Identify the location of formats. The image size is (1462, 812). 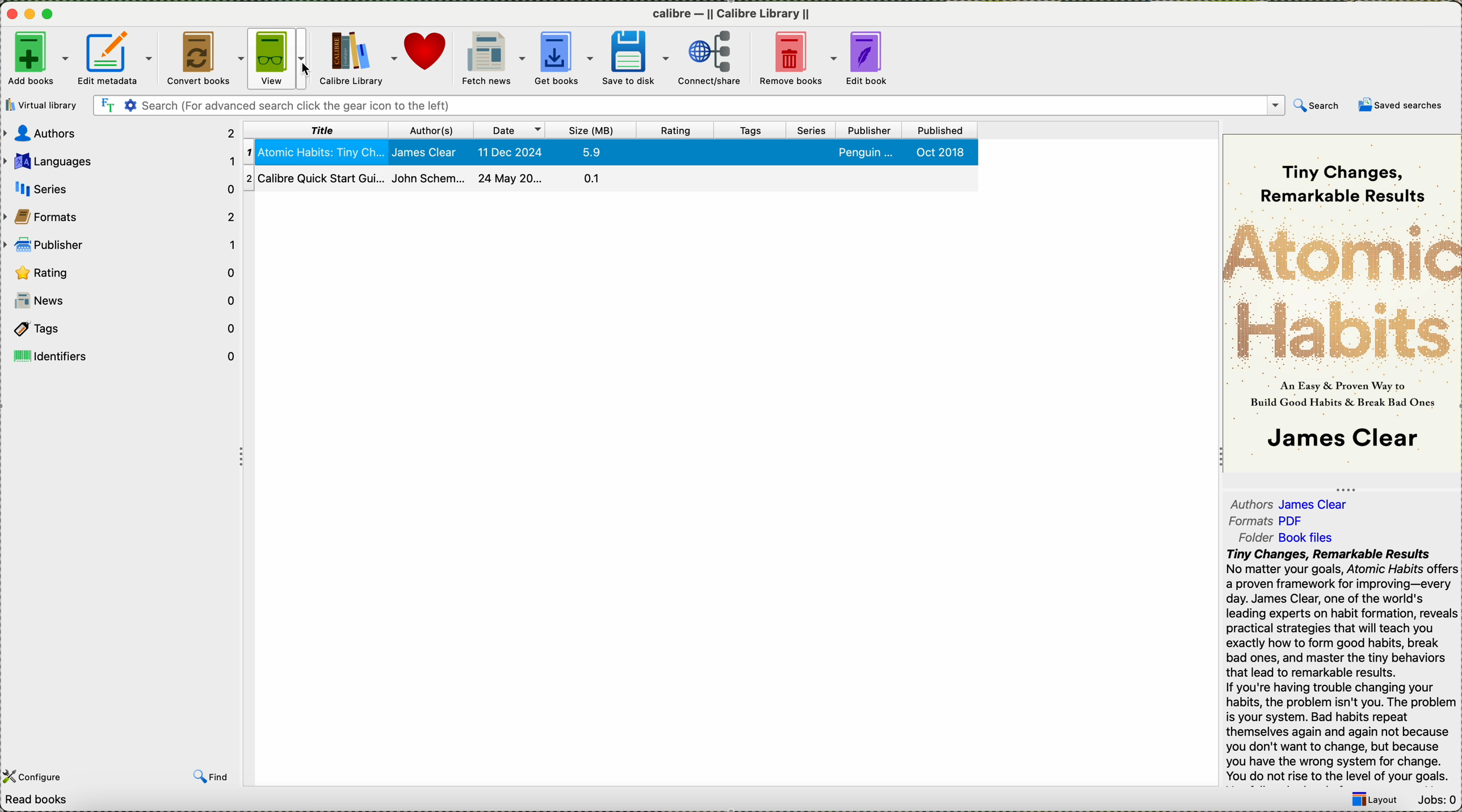
(121, 214).